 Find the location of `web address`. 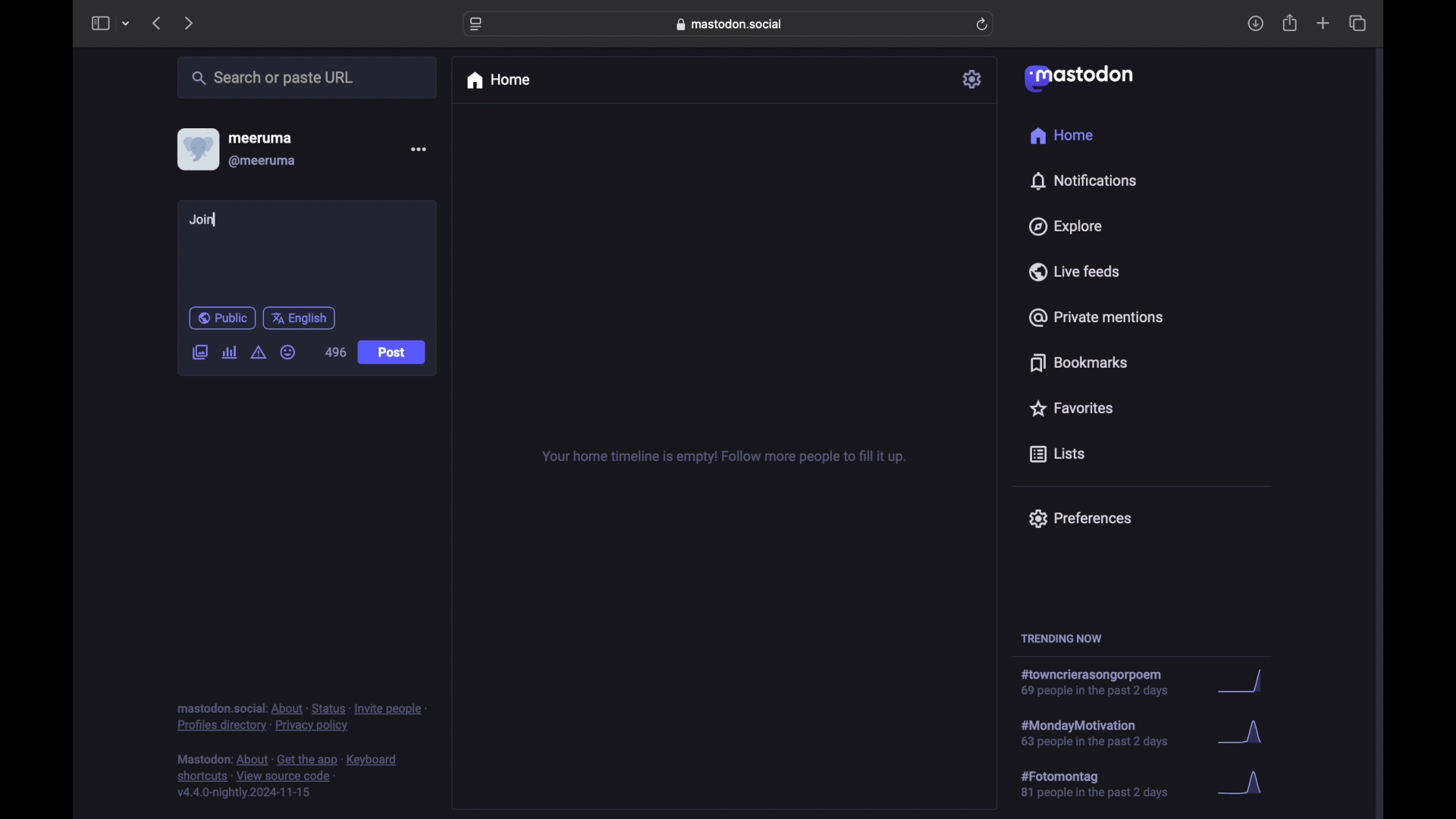

web address is located at coordinates (733, 24).